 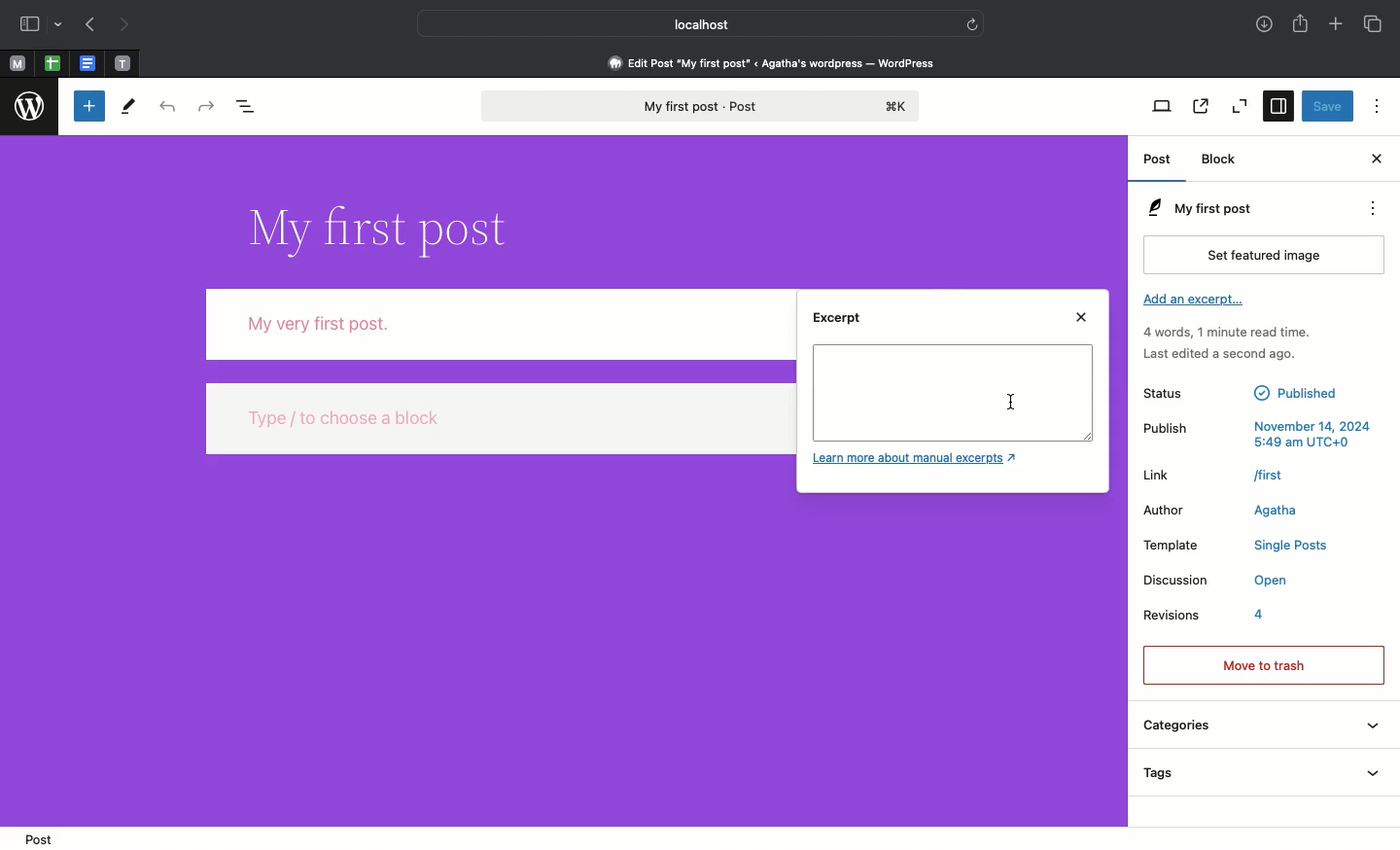 I want to click on My first post, so click(x=1197, y=208).